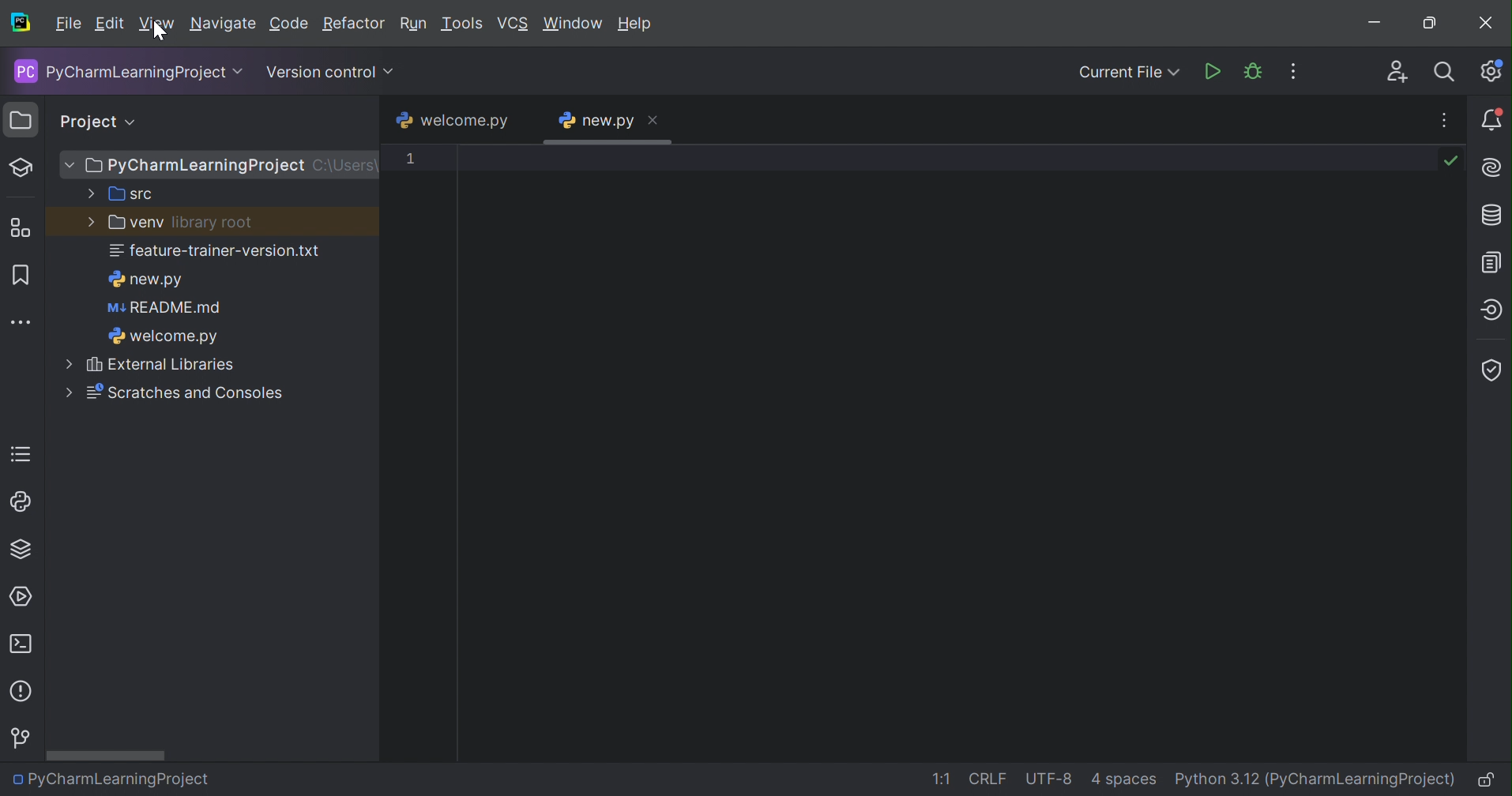 The height and width of the screenshot is (796, 1512). I want to click on 1:1, so click(942, 779).